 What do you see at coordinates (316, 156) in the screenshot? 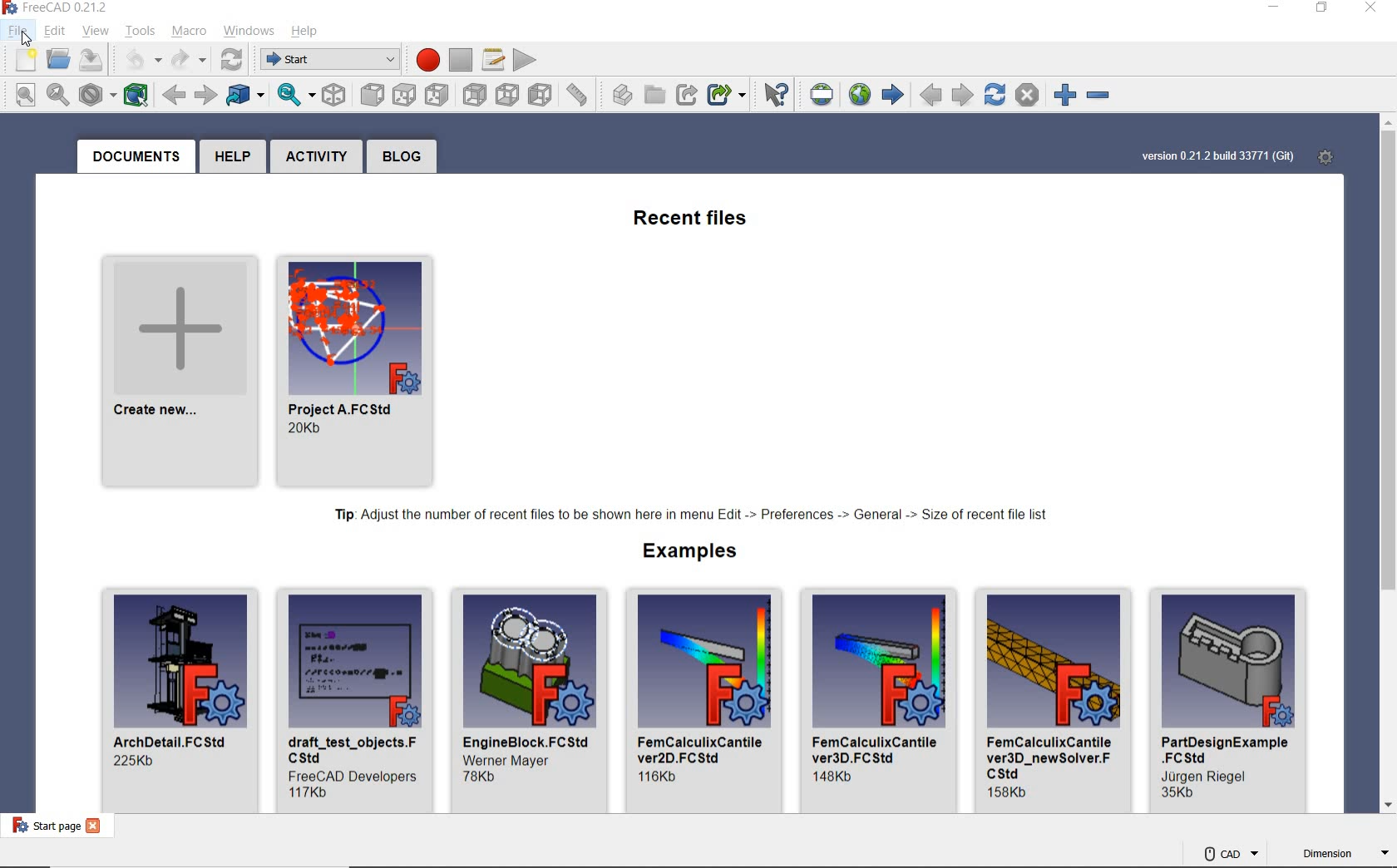
I see `ACTIVITY` at bounding box center [316, 156].